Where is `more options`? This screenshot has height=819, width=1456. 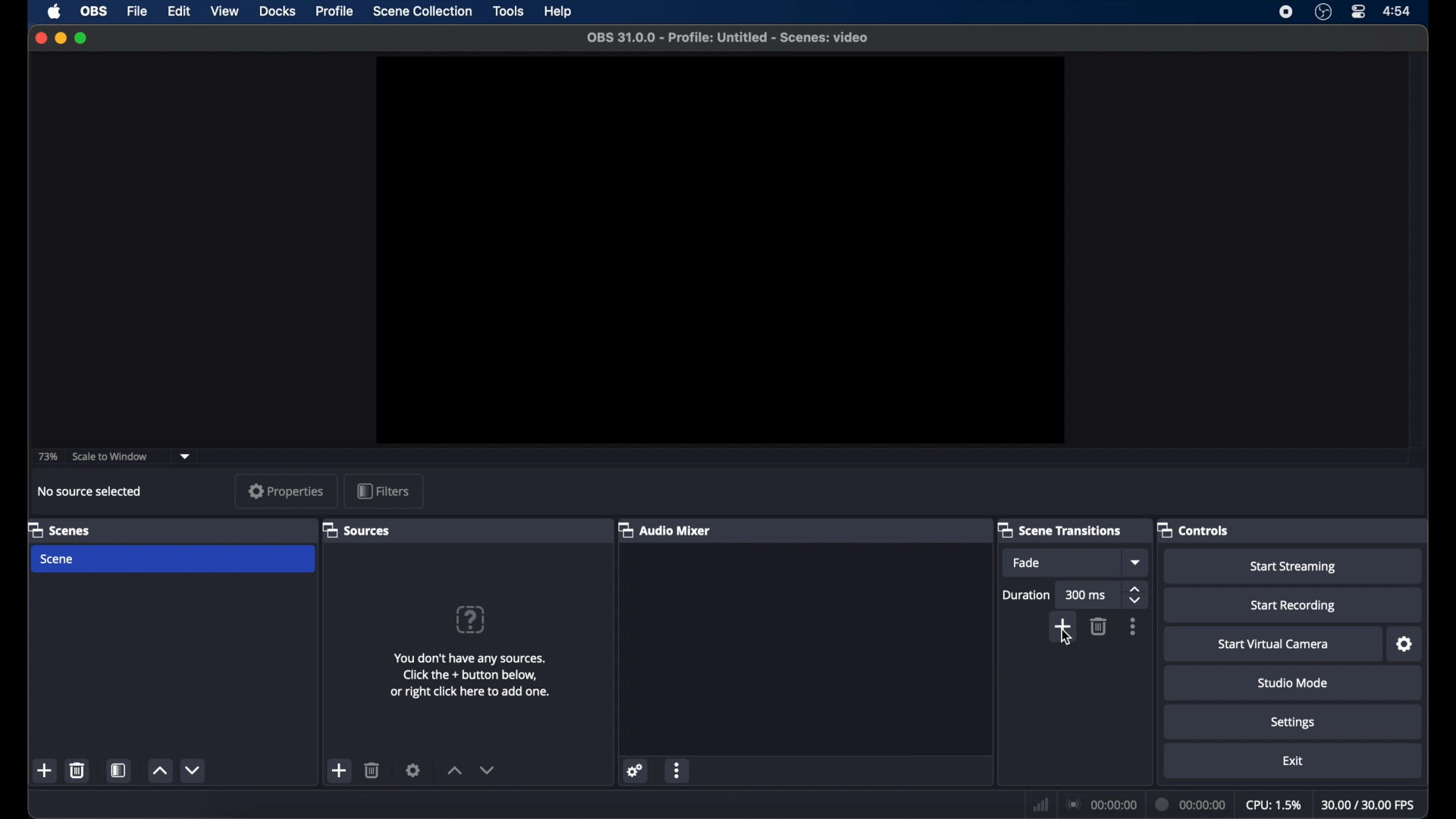
more options is located at coordinates (1134, 626).